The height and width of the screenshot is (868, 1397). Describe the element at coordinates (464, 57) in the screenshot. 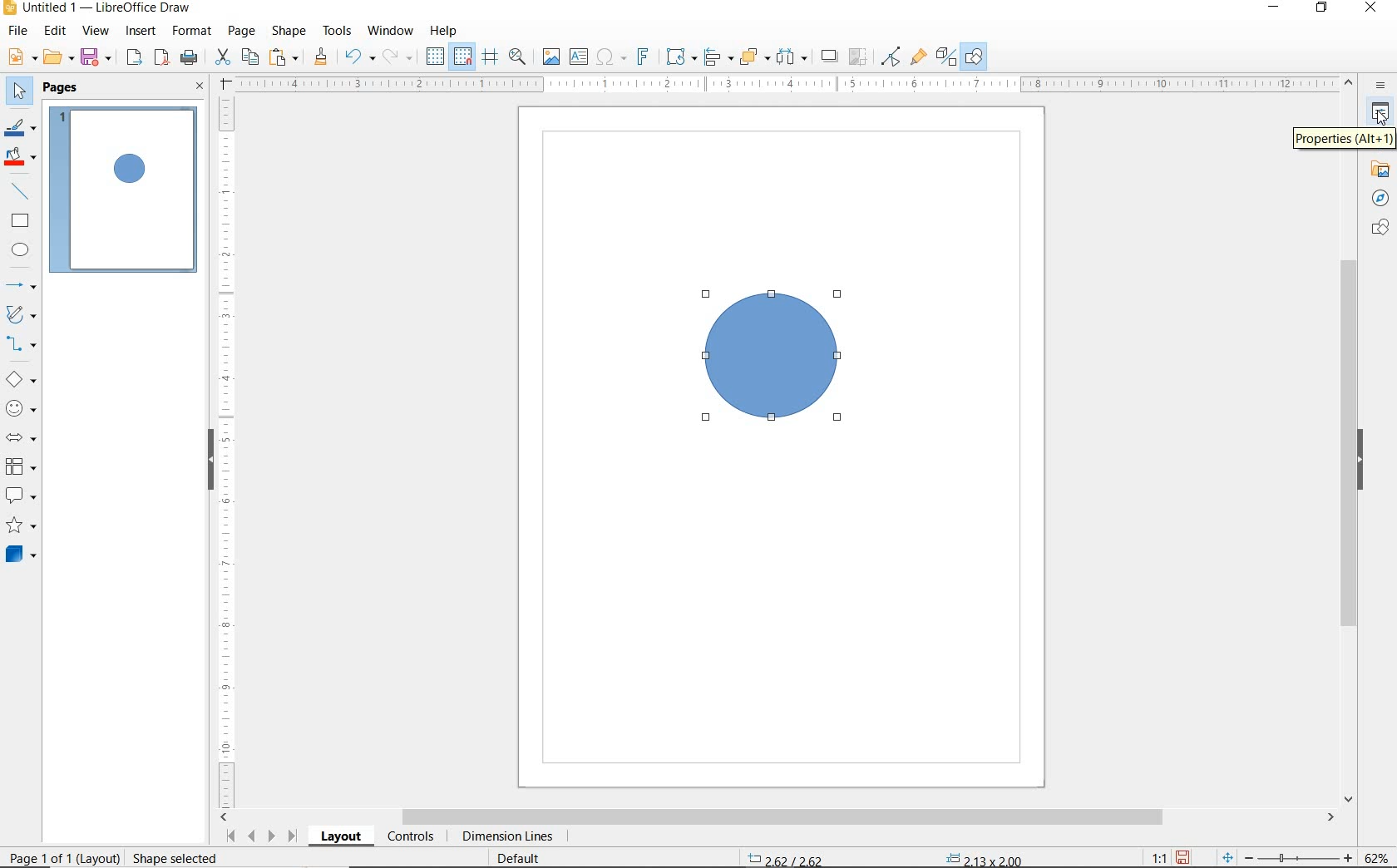

I see `SNAP TO GRID` at that location.